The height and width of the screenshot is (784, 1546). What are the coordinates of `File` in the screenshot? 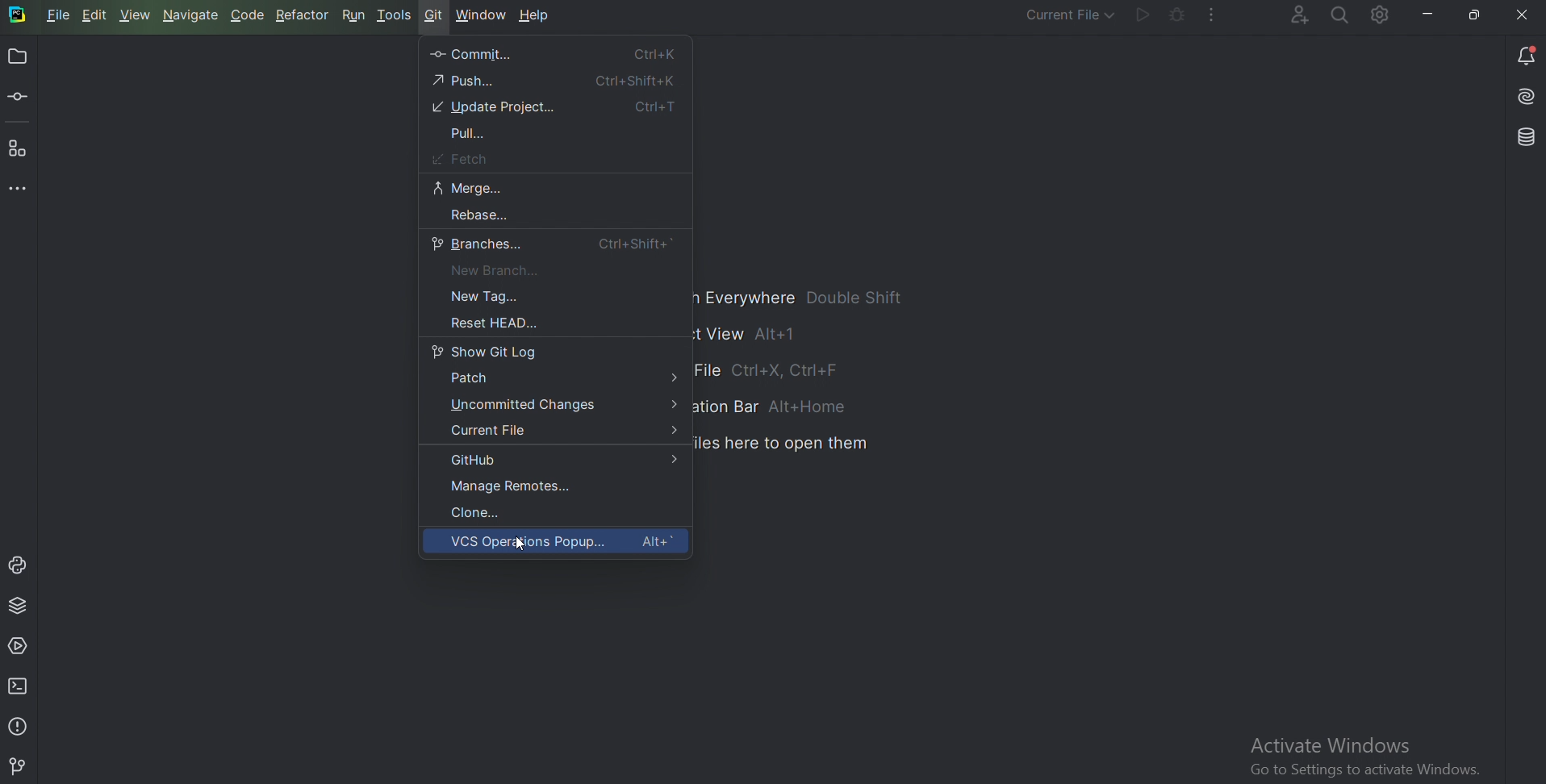 It's located at (59, 15).